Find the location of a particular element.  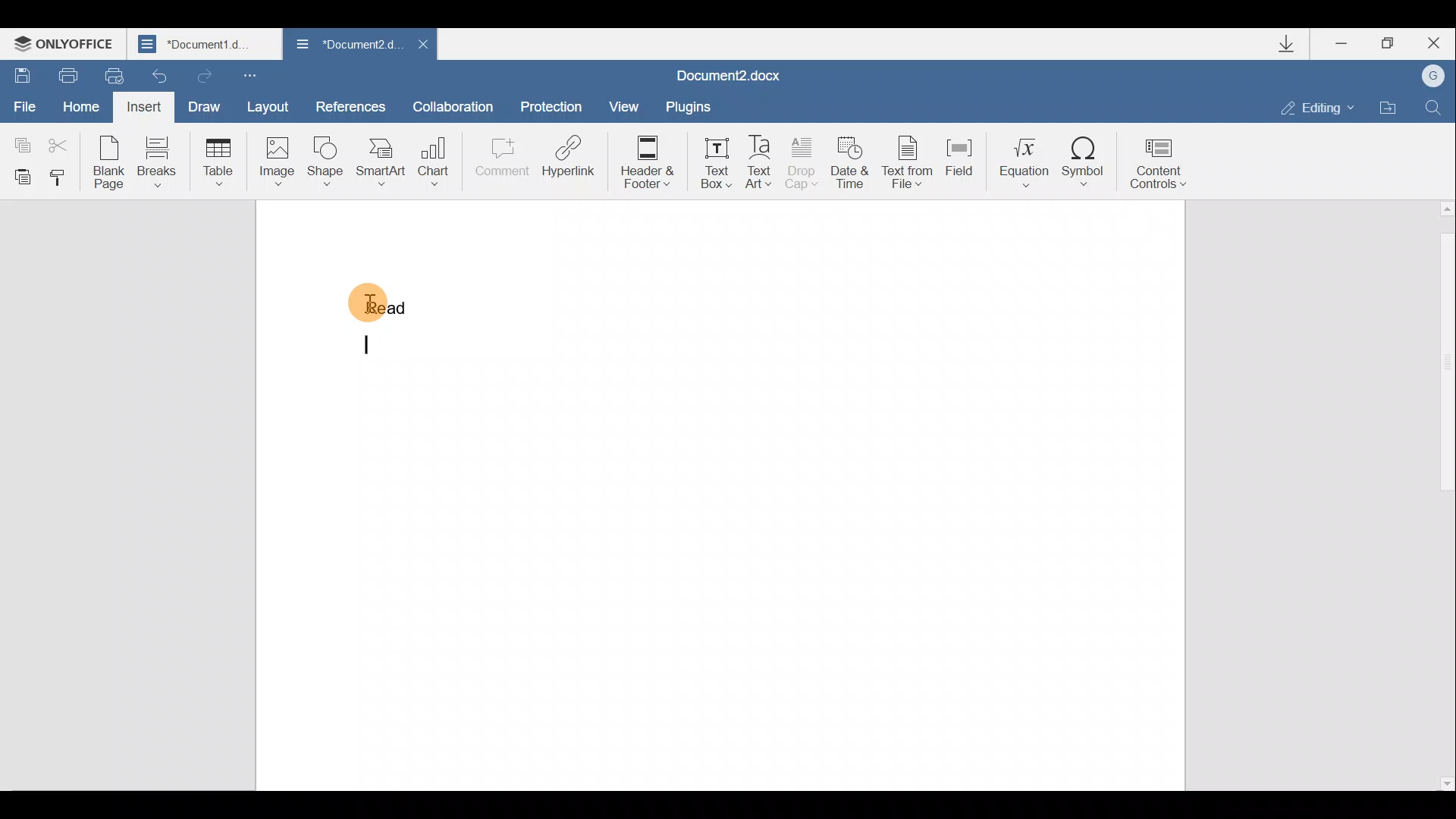

Text Art is located at coordinates (760, 163).